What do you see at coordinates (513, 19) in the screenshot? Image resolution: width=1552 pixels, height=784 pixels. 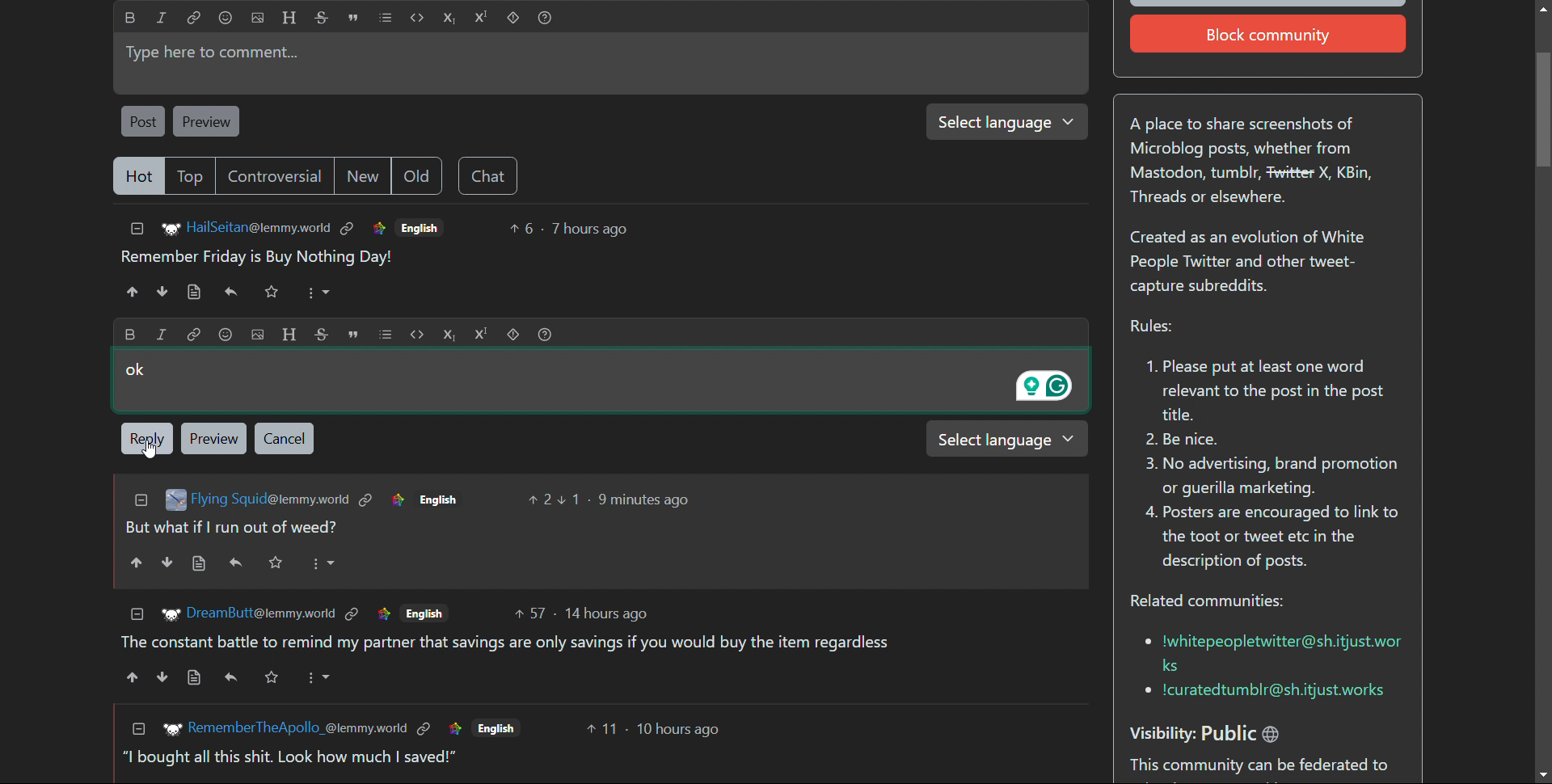 I see `spoiler` at bounding box center [513, 19].